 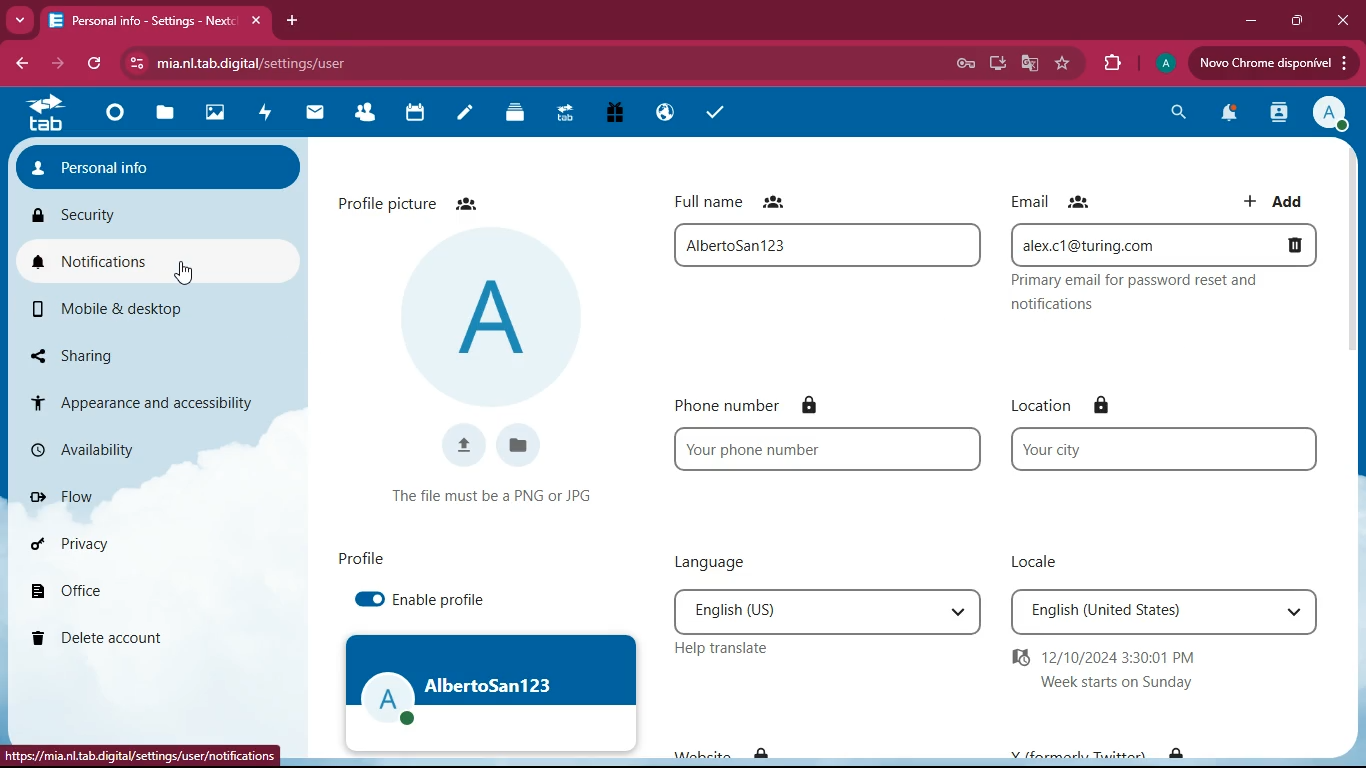 I want to click on enable , so click(x=447, y=600).